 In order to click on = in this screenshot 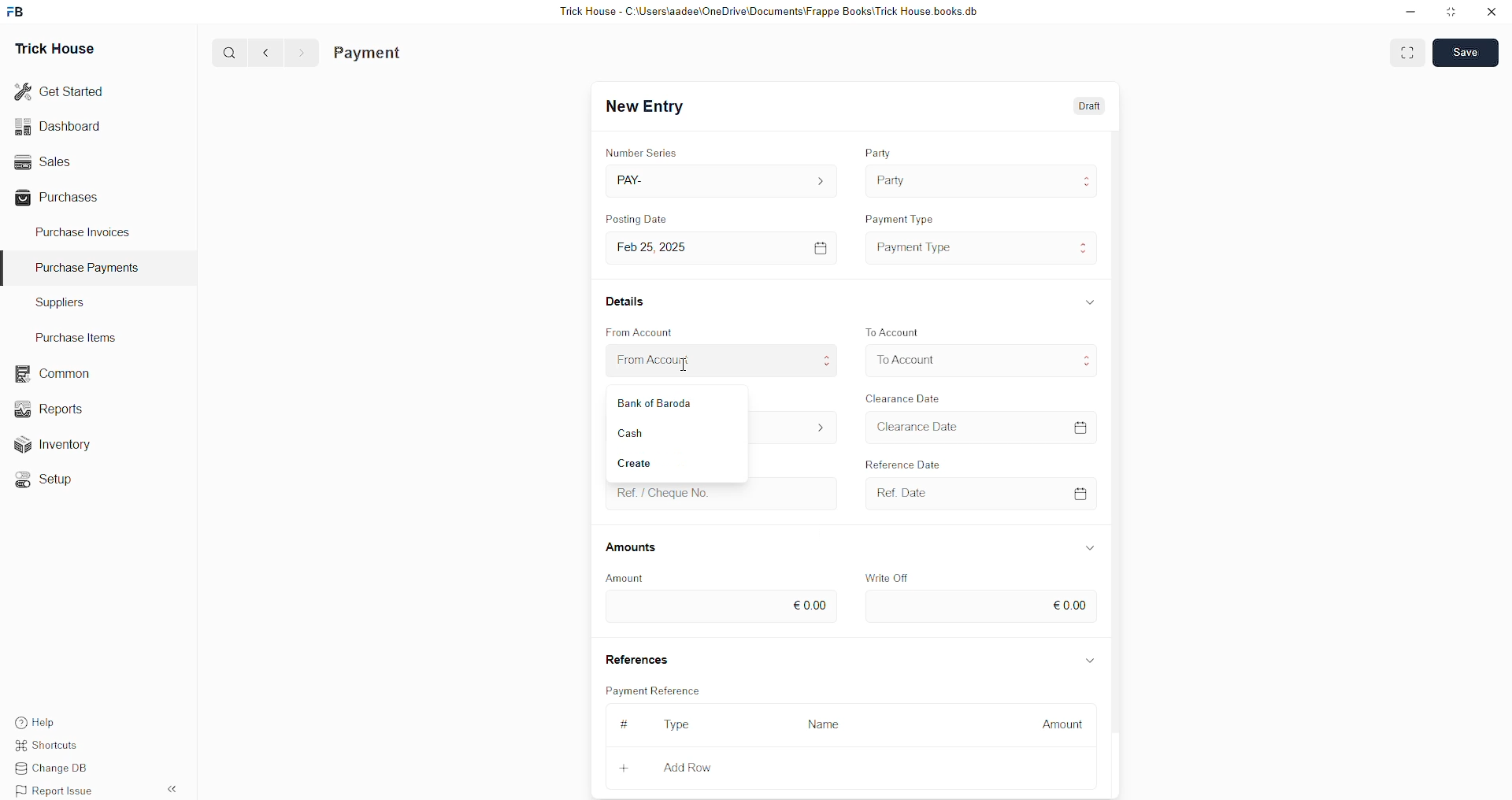, I will do `click(1084, 425)`.